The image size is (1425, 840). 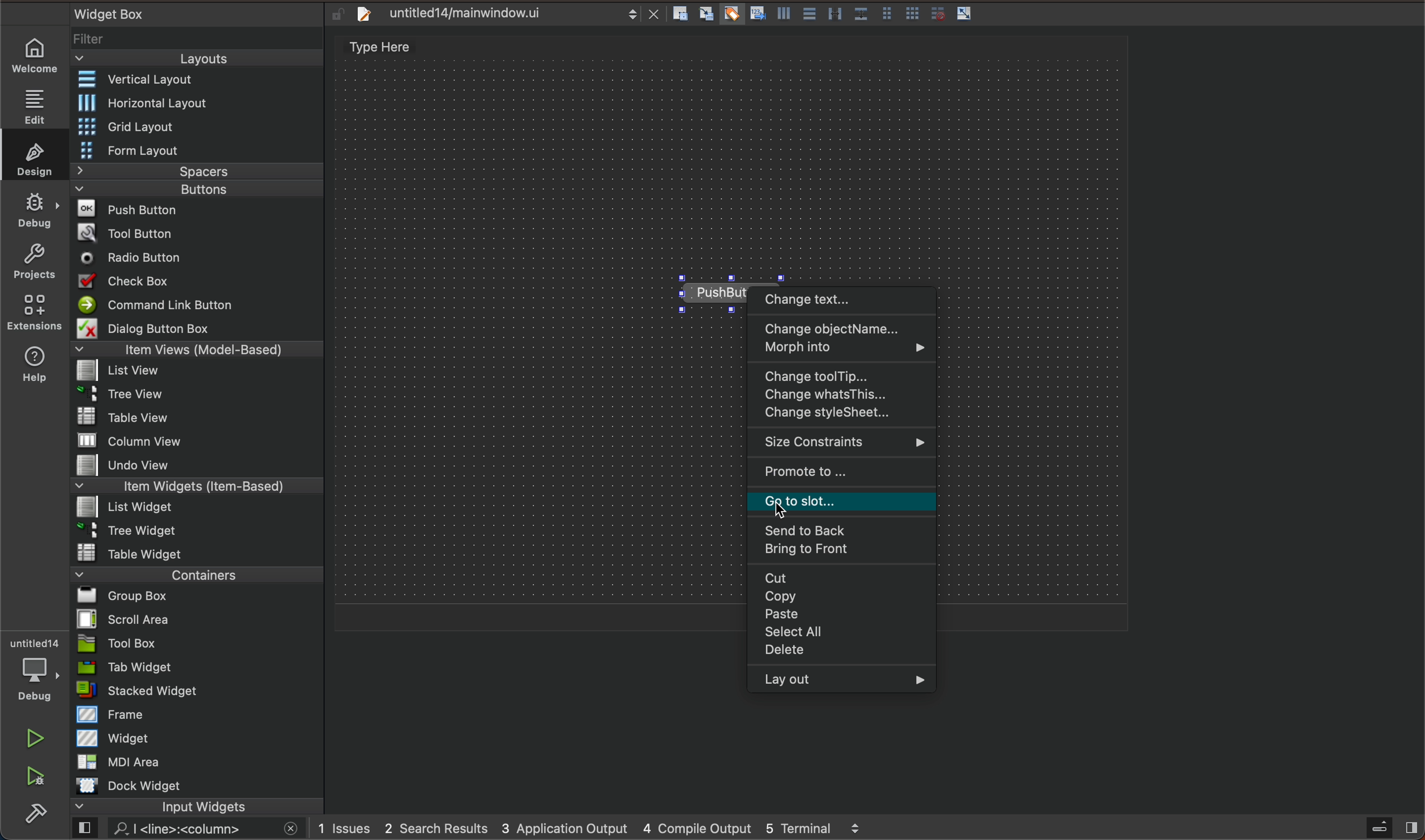 What do you see at coordinates (38, 106) in the screenshot?
I see `EDIT` at bounding box center [38, 106].